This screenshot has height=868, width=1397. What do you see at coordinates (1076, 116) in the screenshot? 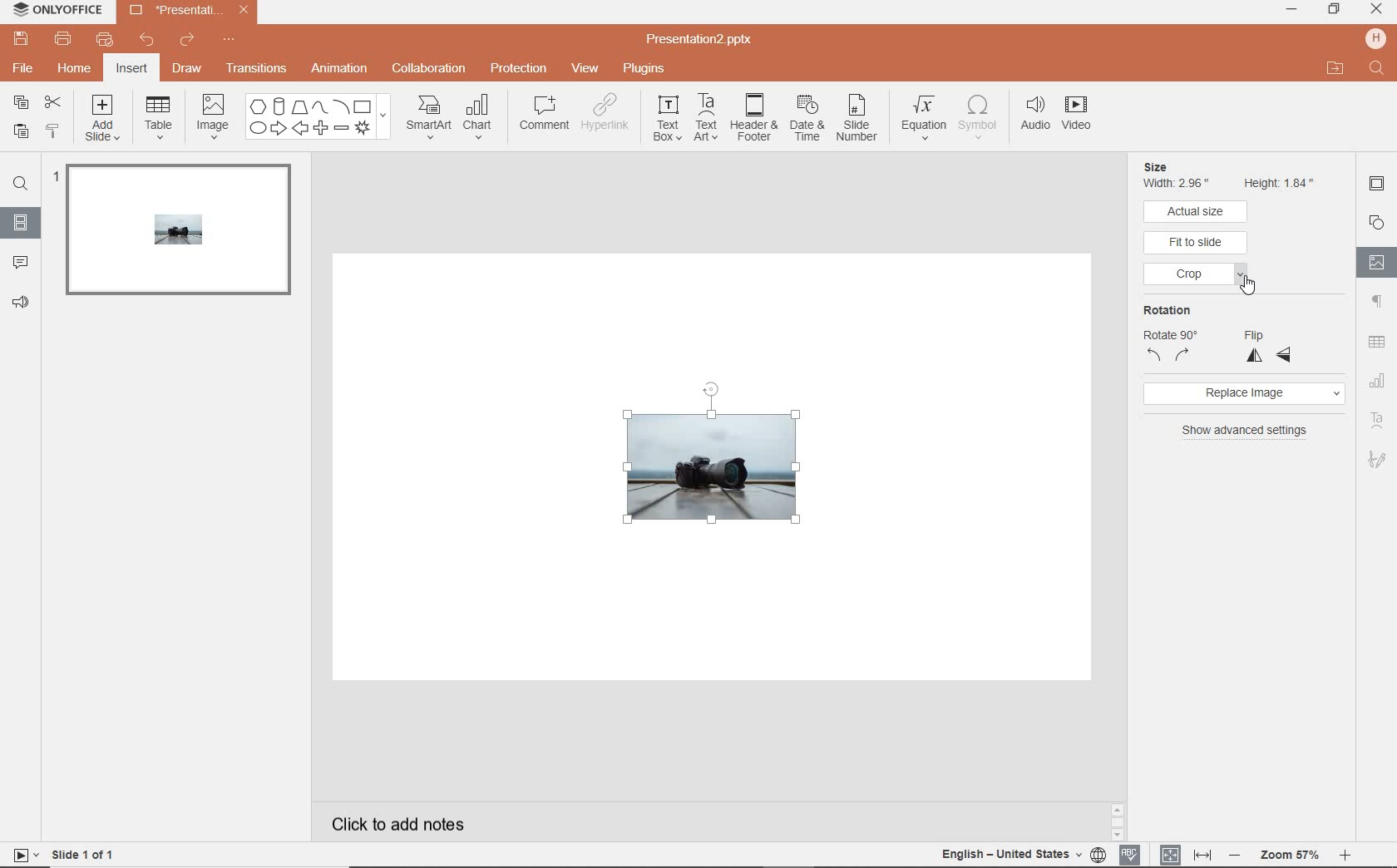
I see `videos` at bounding box center [1076, 116].